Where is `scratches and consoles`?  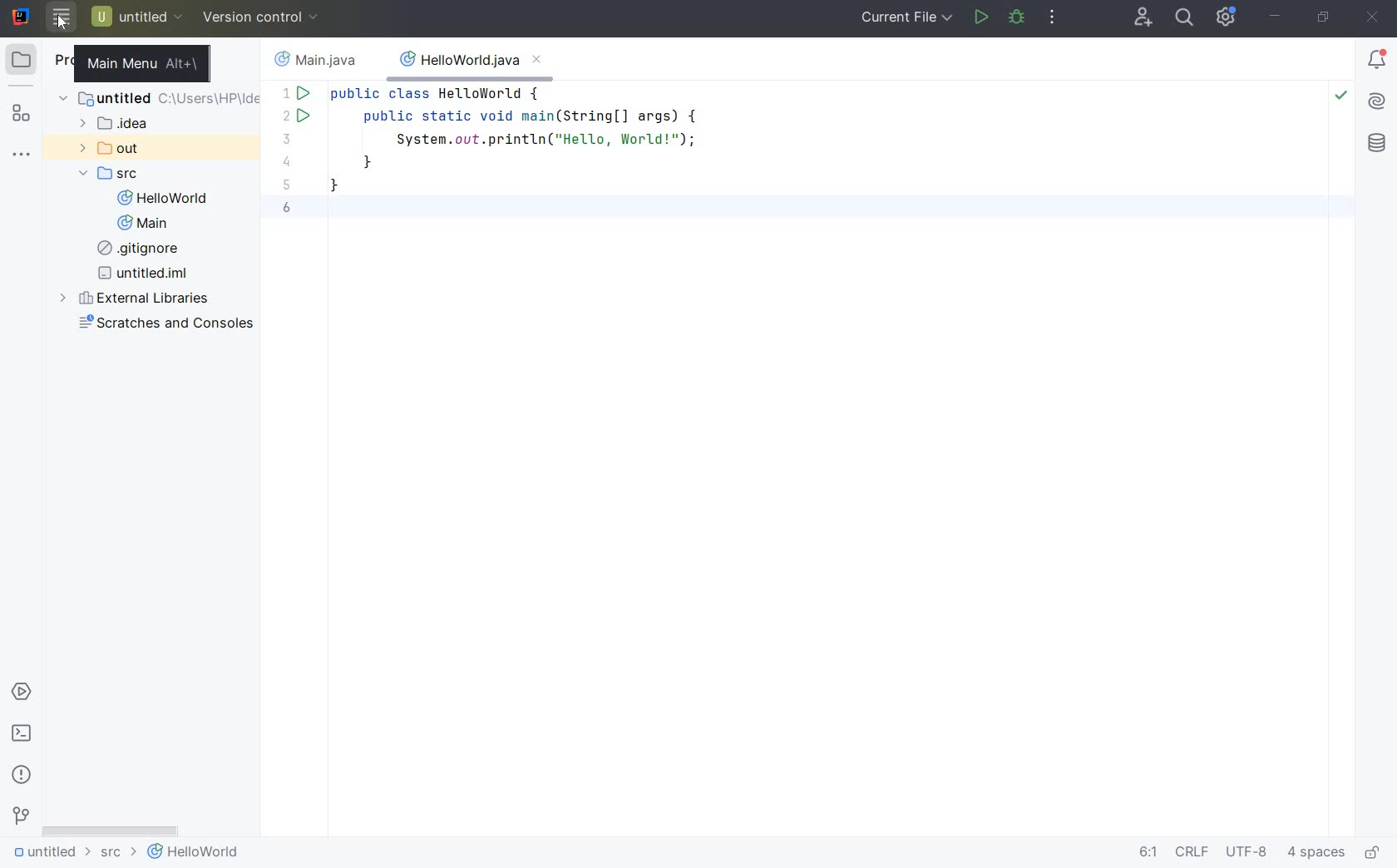
scratches and consoles is located at coordinates (162, 326).